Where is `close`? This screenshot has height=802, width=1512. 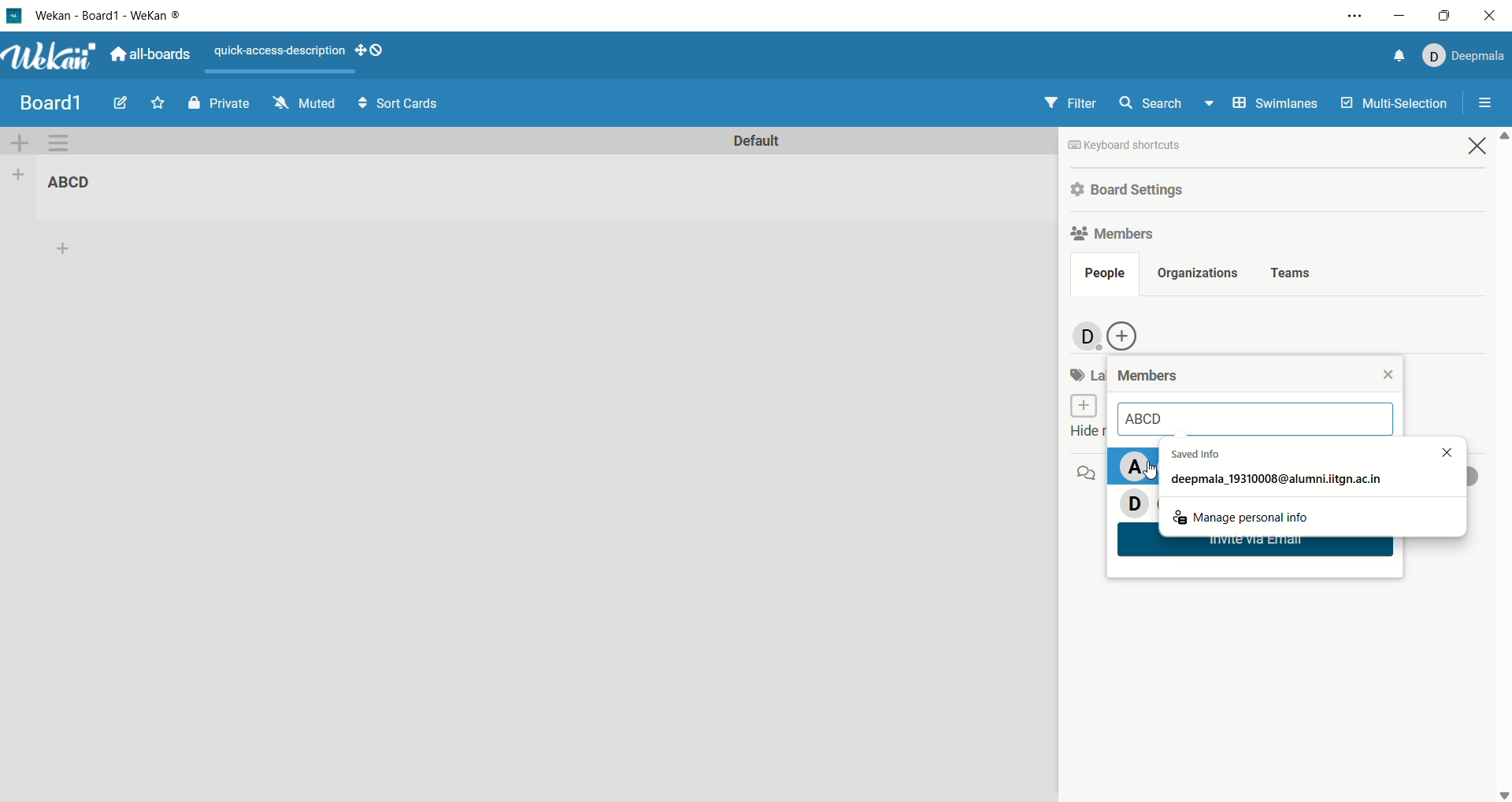
close is located at coordinates (1493, 16).